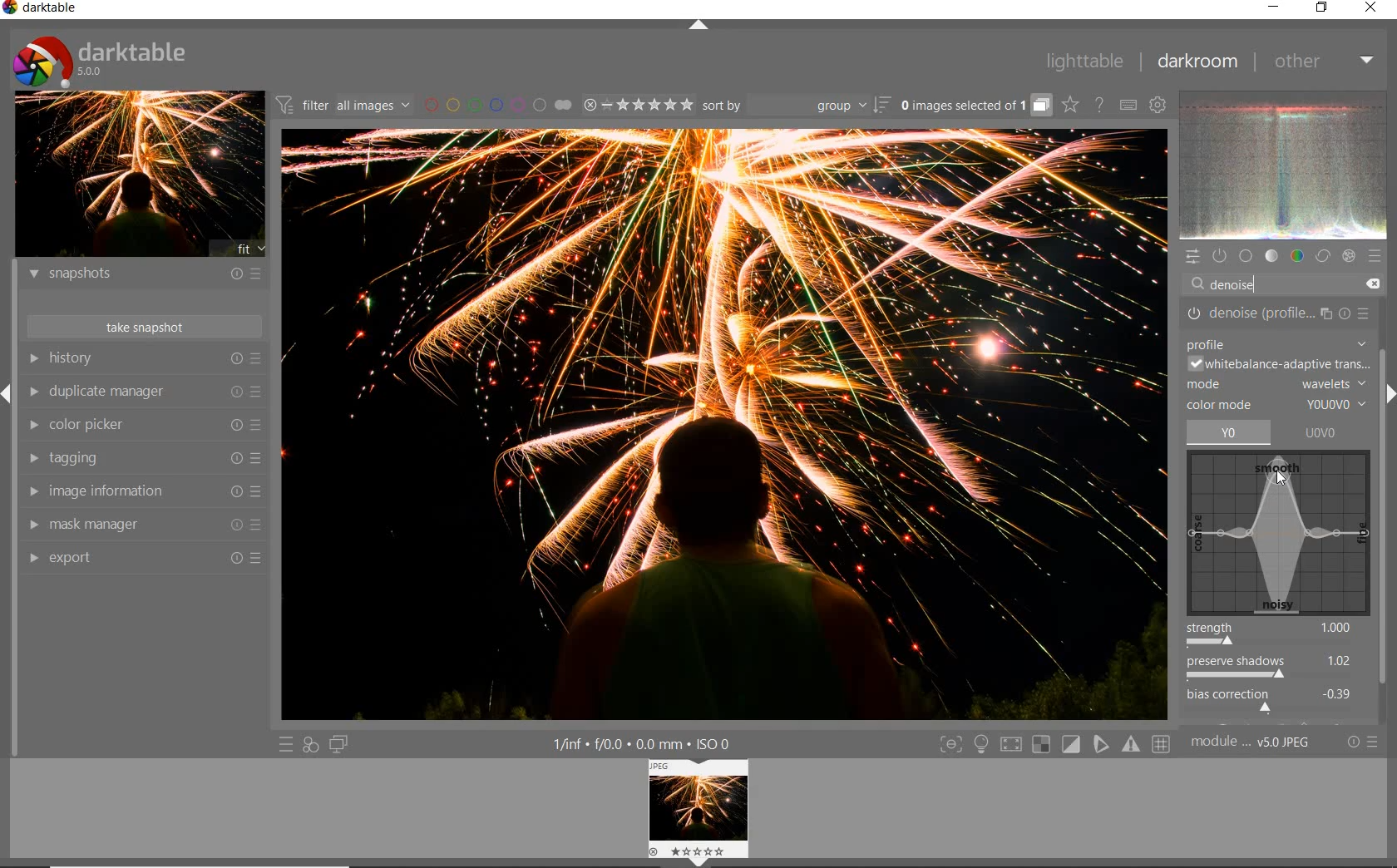 The width and height of the screenshot is (1397, 868). I want to click on set keyboard shortcuts, so click(1127, 105).